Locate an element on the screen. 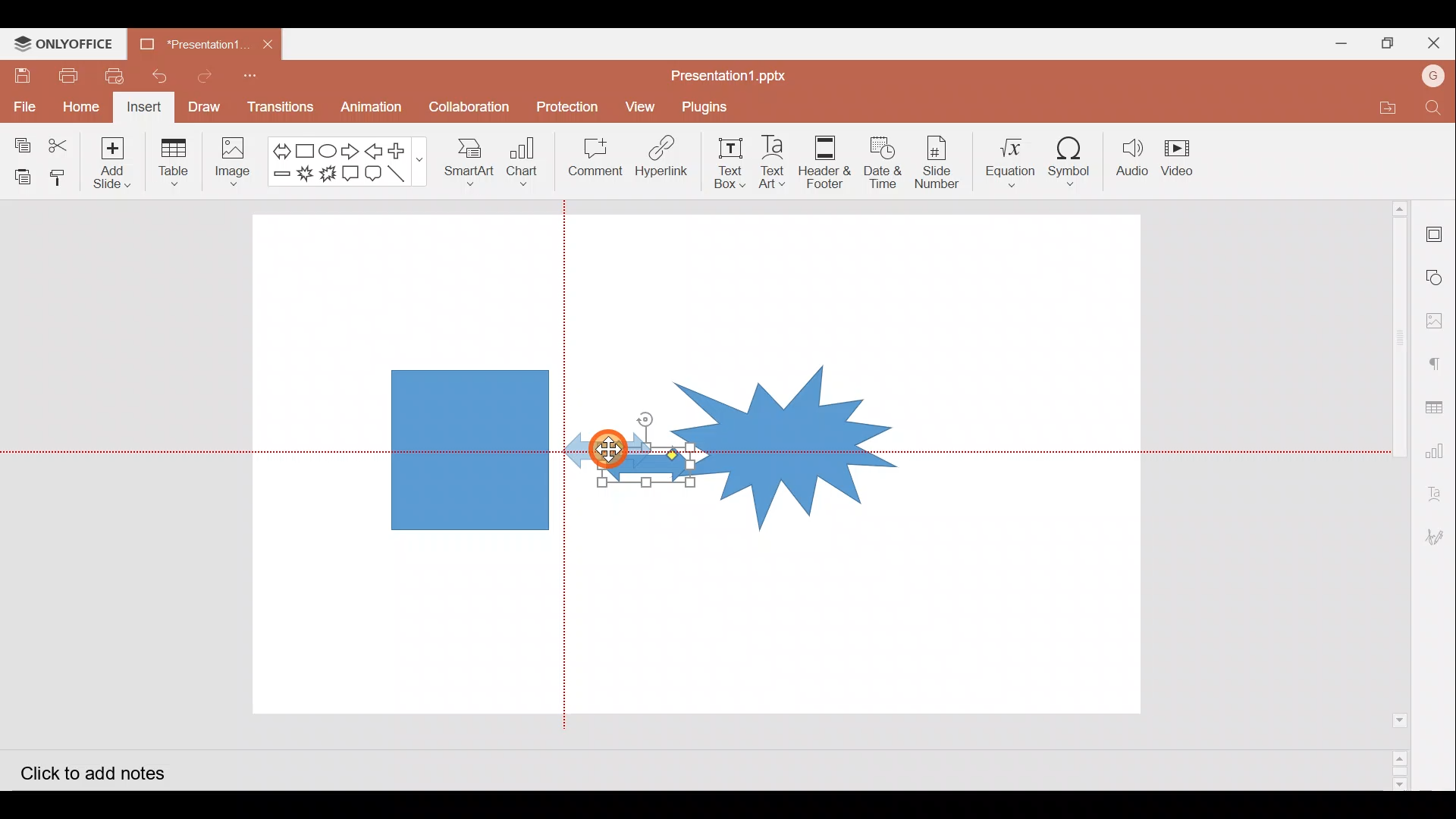 The height and width of the screenshot is (819, 1456). Slide settings is located at coordinates (1435, 229).